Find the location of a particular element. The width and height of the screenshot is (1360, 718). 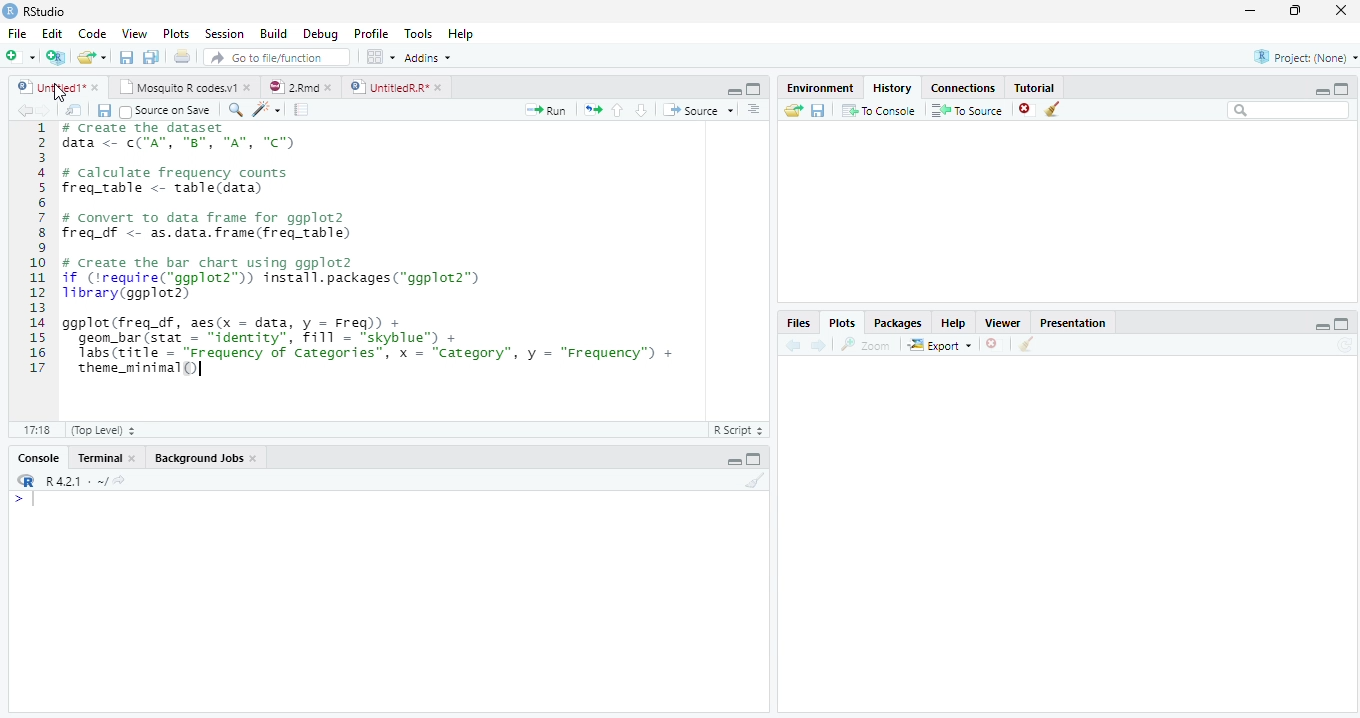

Save all is located at coordinates (153, 58).